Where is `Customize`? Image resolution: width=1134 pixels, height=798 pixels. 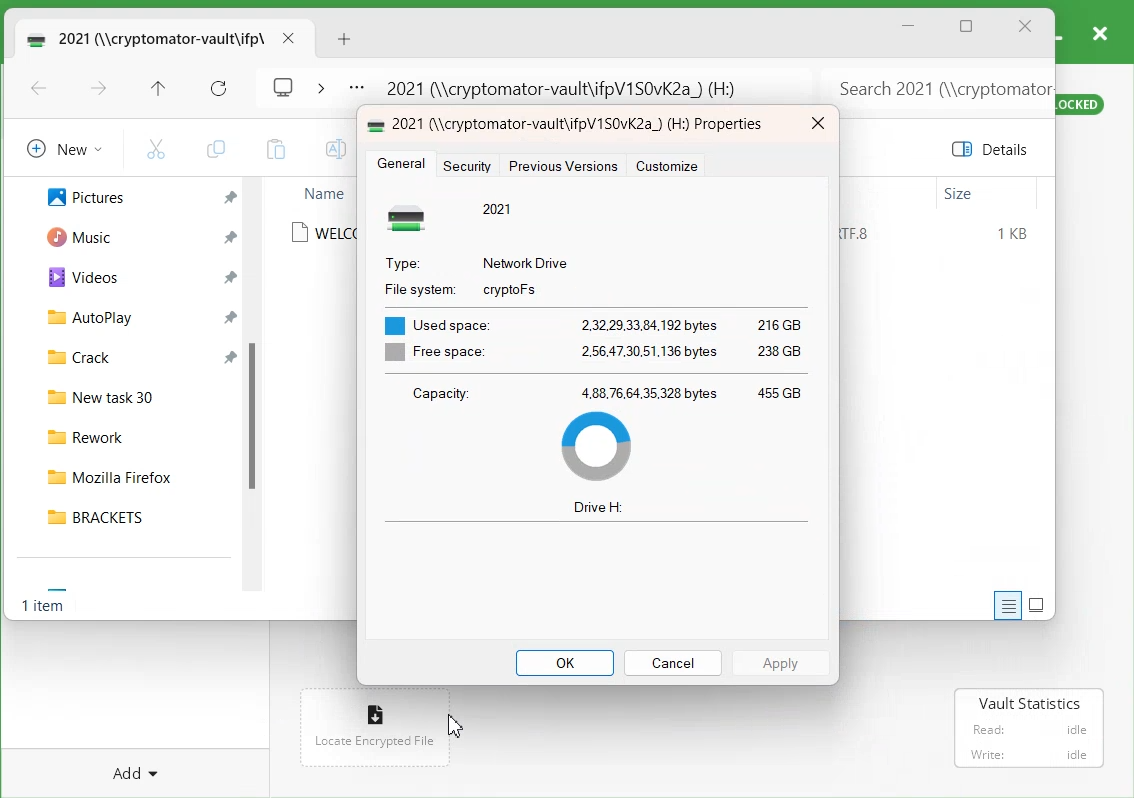
Customize is located at coordinates (667, 166).